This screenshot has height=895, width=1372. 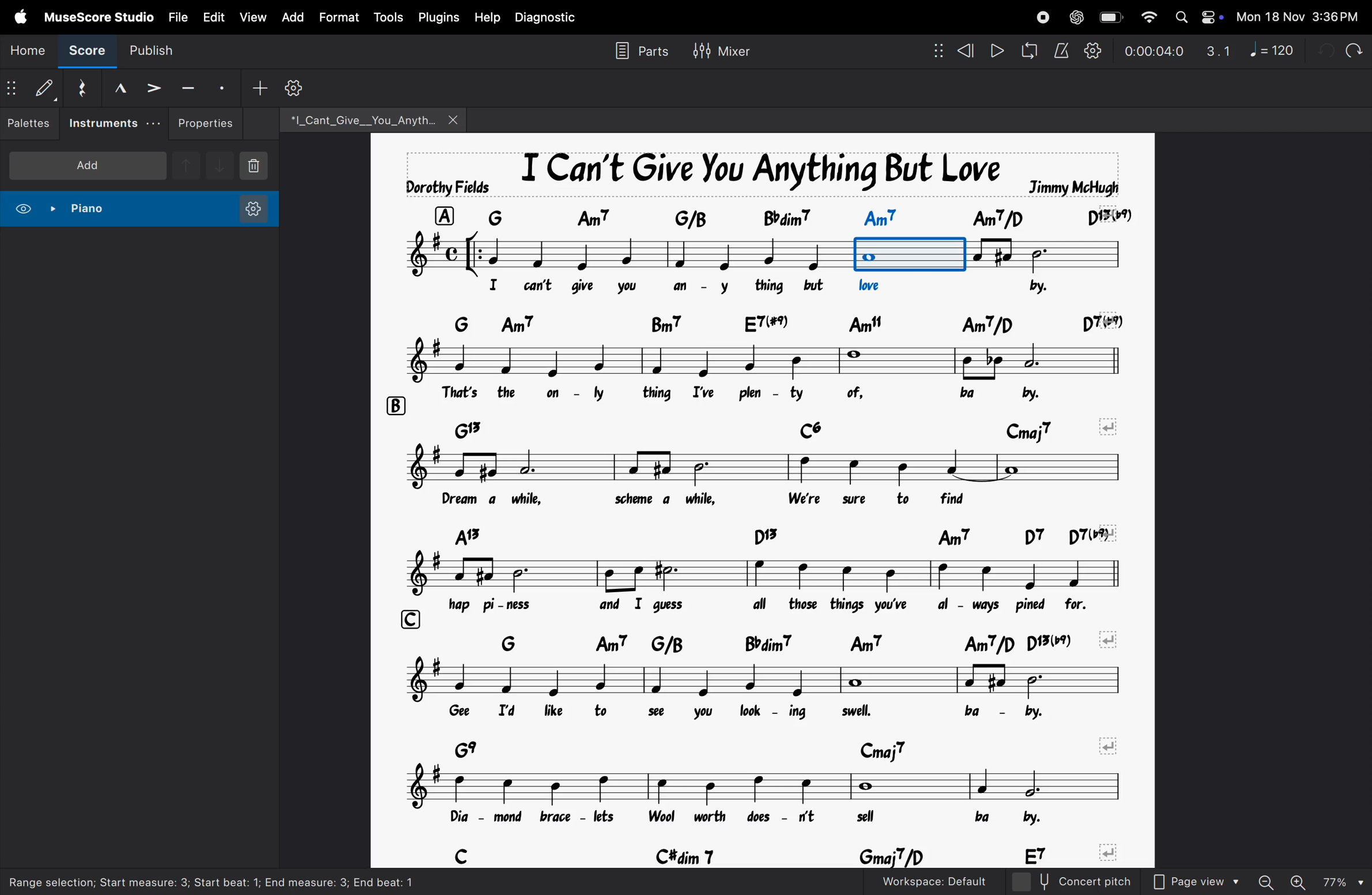 I want to click on selection information, so click(x=216, y=881).